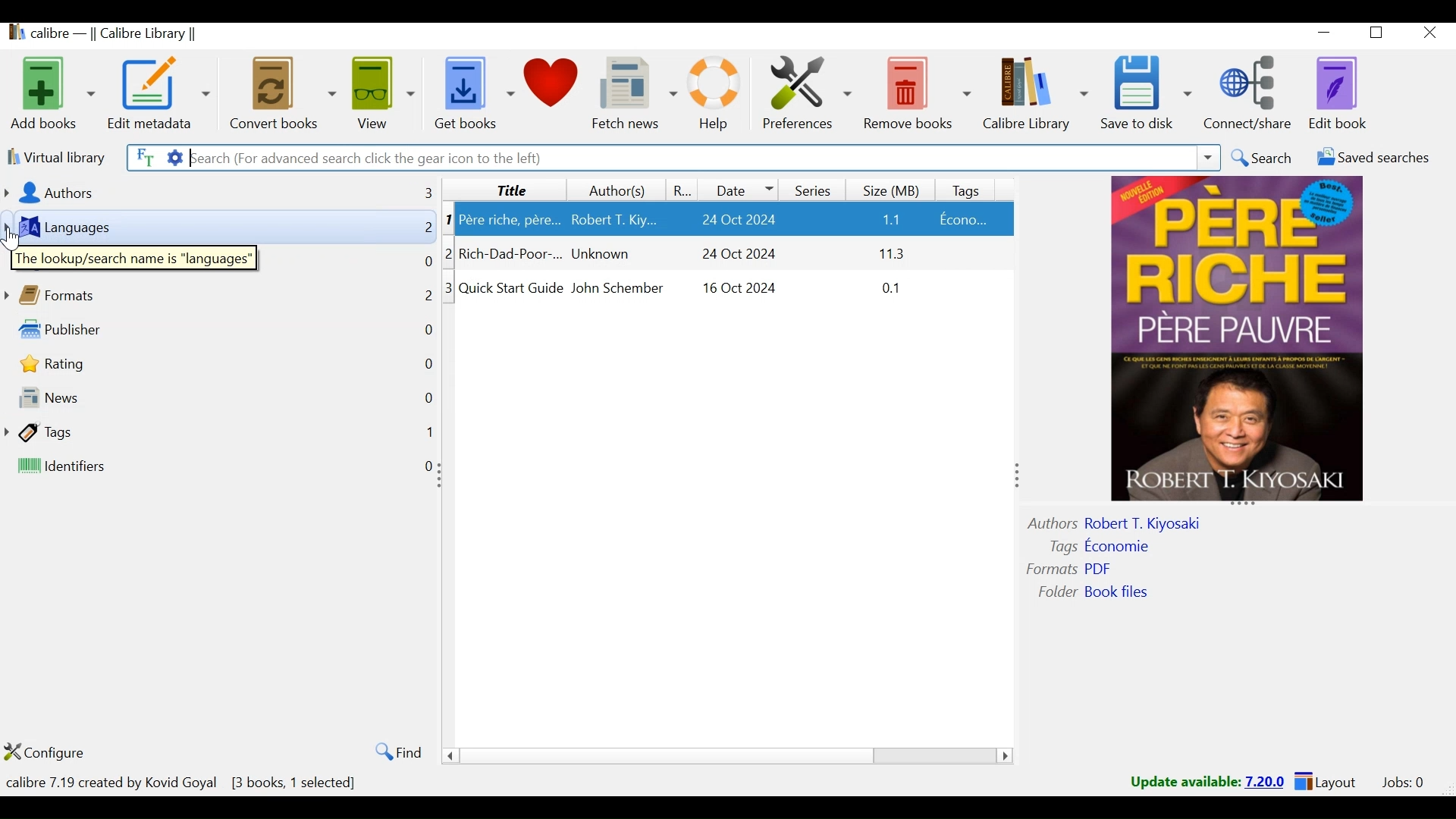 The height and width of the screenshot is (819, 1456). Describe the element at coordinates (60, 752) in the screenshot. I see `configure` at that location.